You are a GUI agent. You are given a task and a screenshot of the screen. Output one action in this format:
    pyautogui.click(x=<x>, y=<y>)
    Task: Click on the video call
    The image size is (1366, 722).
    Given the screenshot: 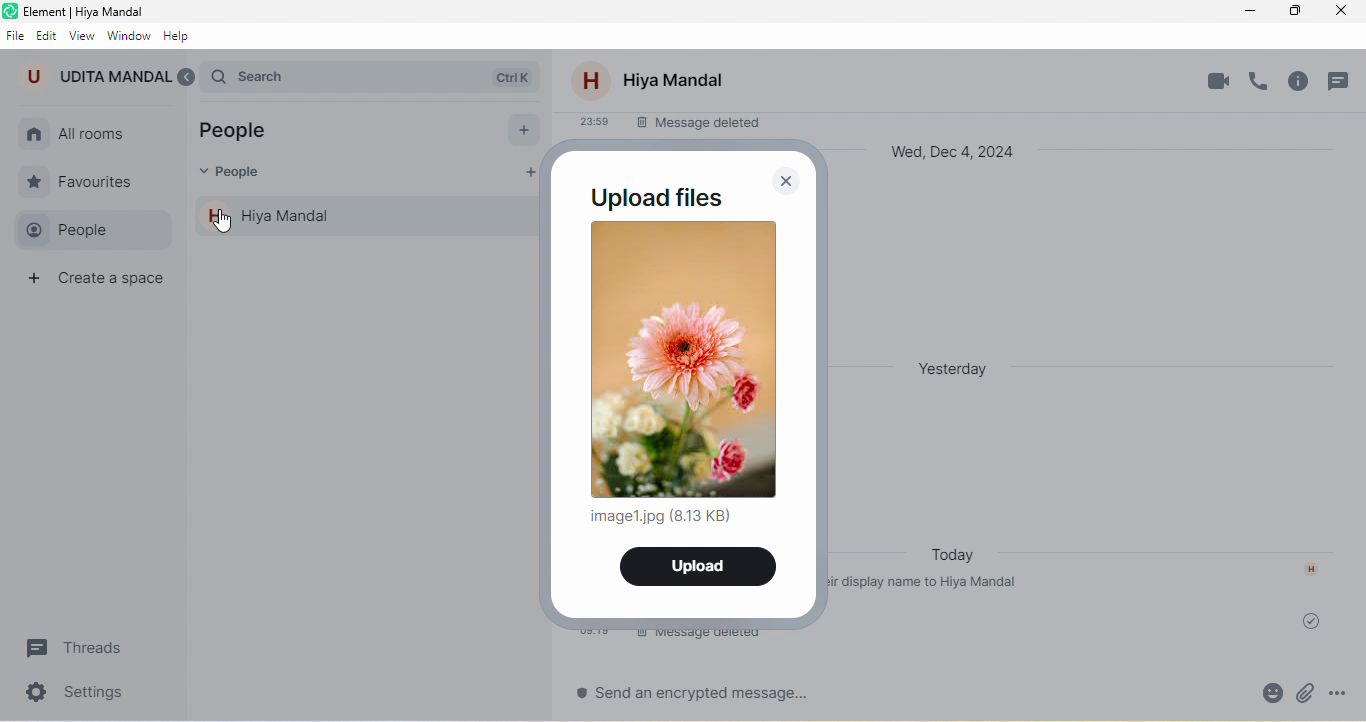 What is the action you would take?
    pyautogui.click(x=1218, y=80)
    